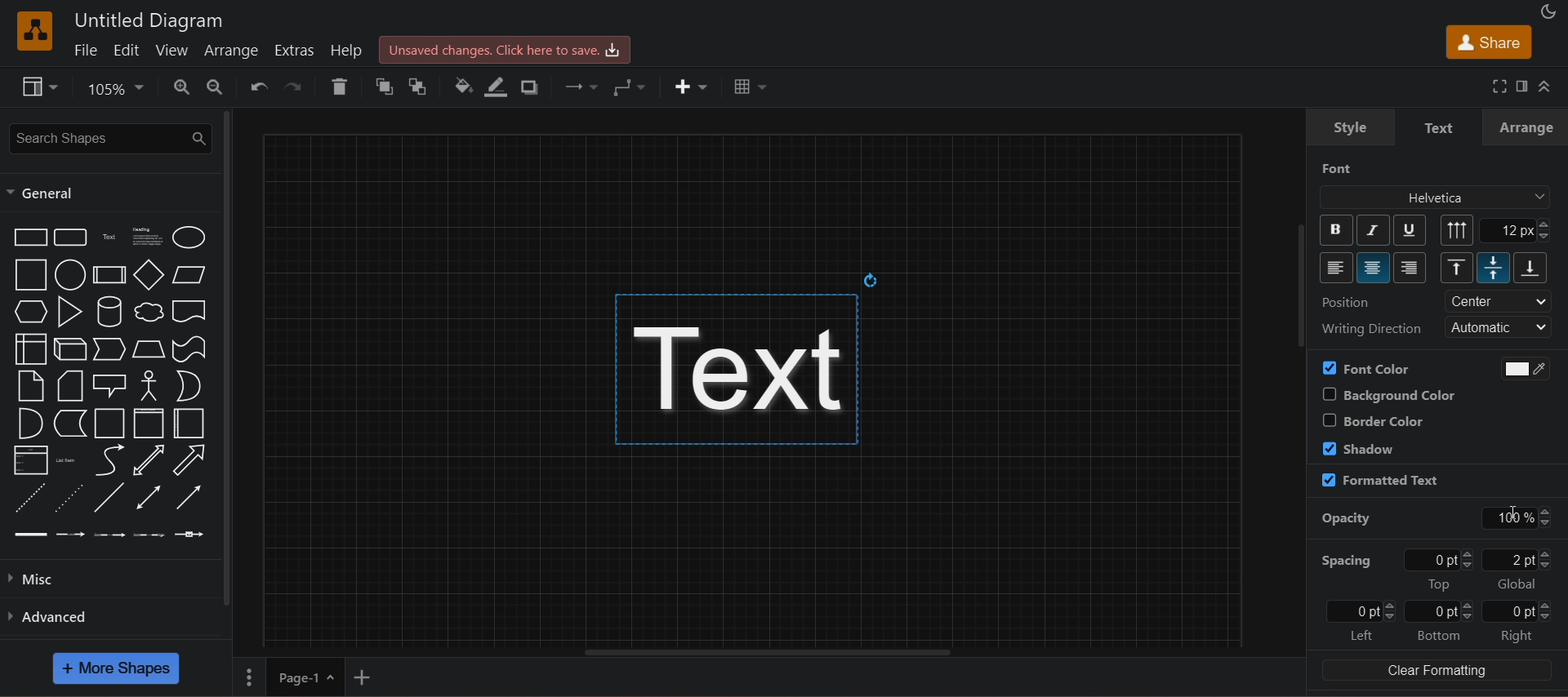  I want to click on container, so click(110, 423).